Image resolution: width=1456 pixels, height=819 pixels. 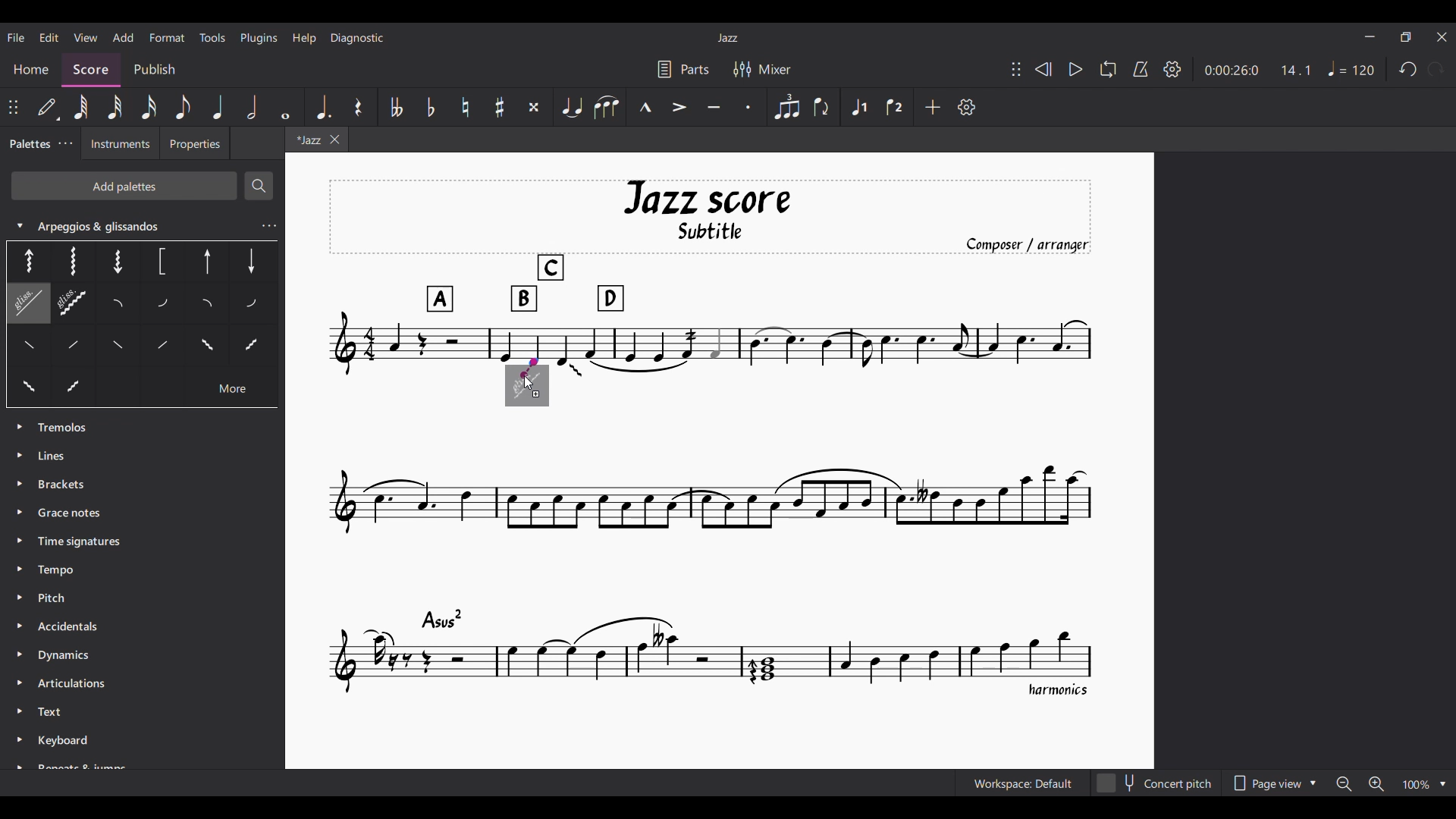 I want to click on Tempo, so click(x=58, y=571).